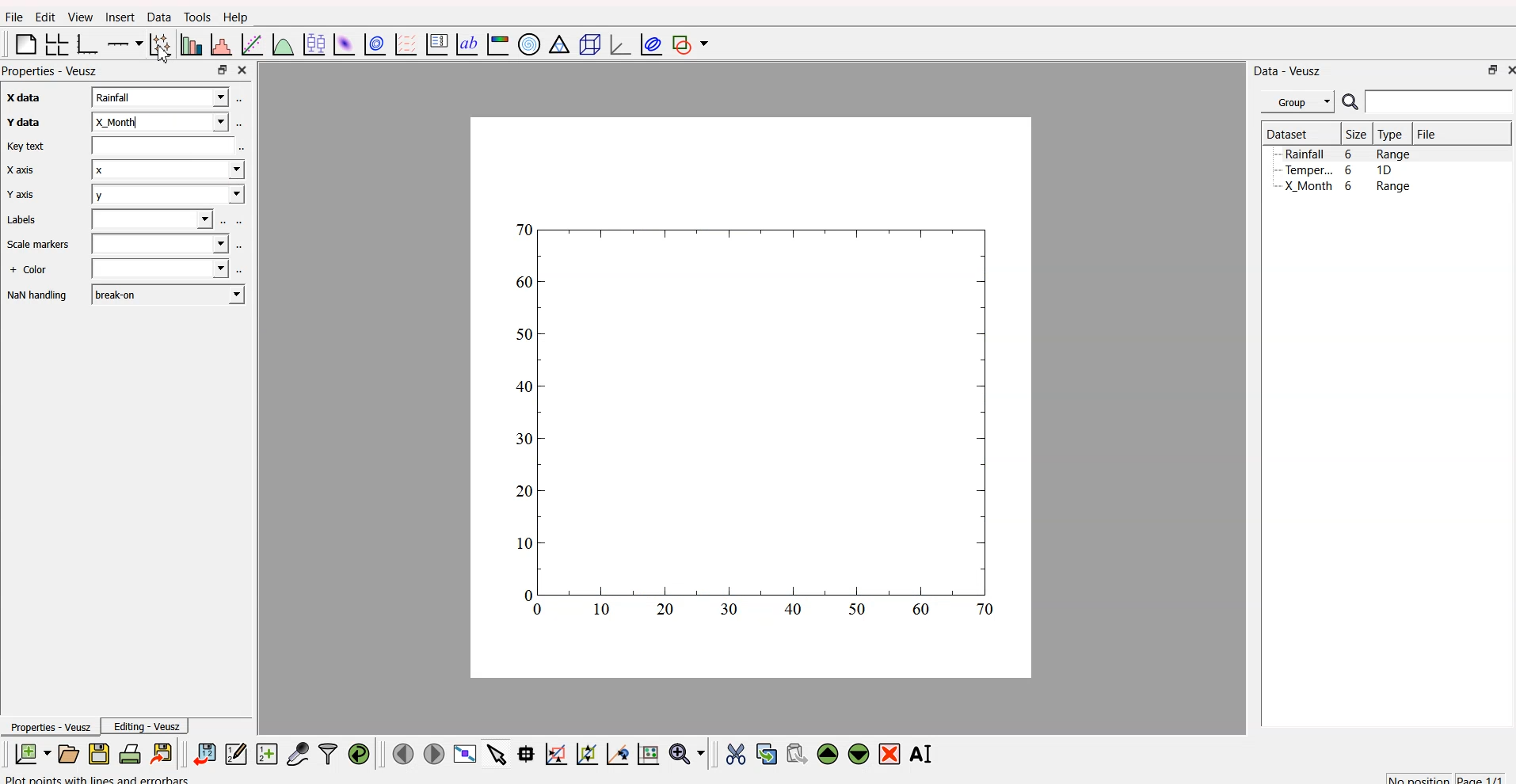  Describe the element at coordinates (586, 44) in the screenshot. I see `3D scene` at that location.